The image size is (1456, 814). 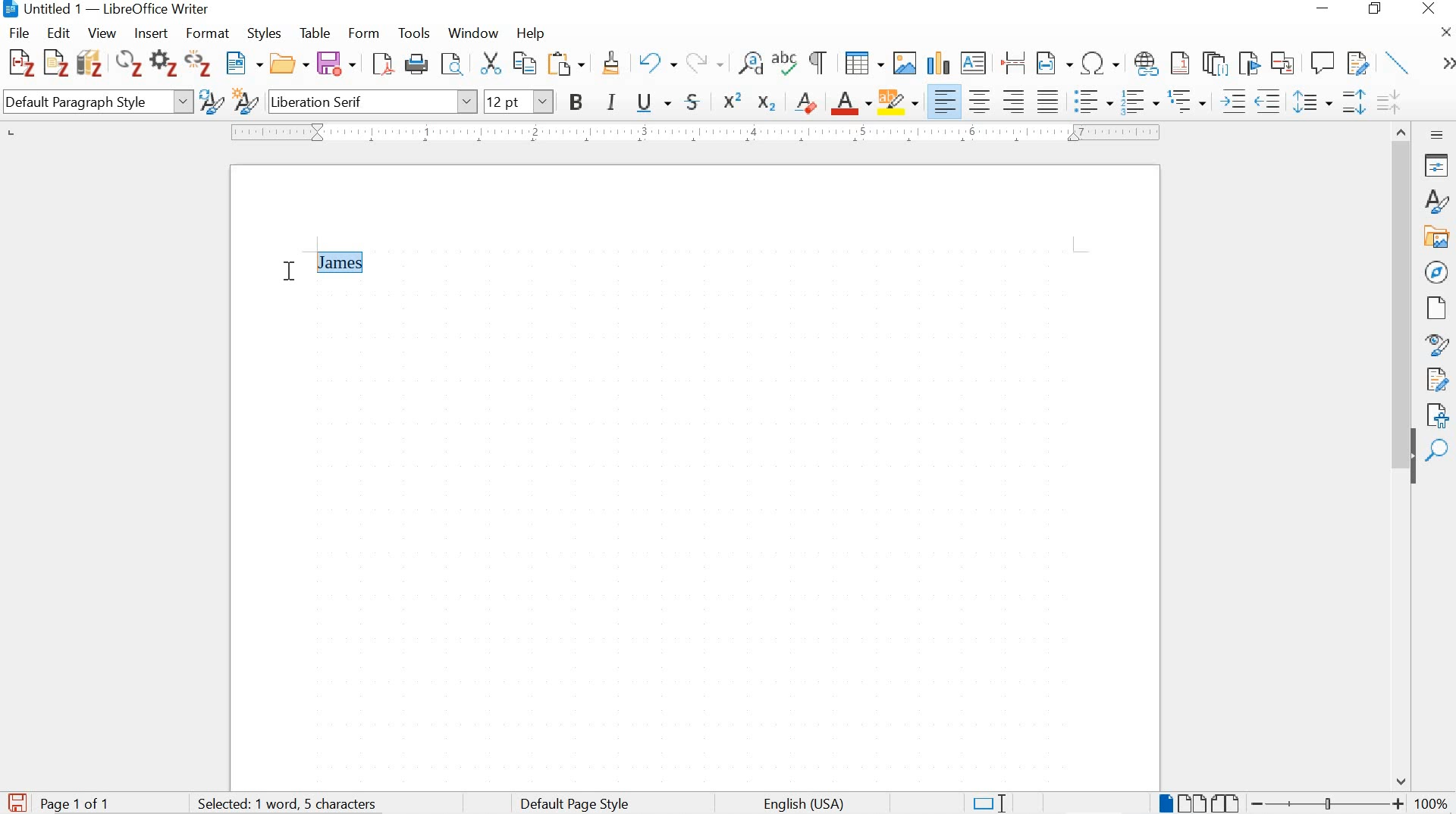 I want to click on align right, so click(x=1016, y=101).